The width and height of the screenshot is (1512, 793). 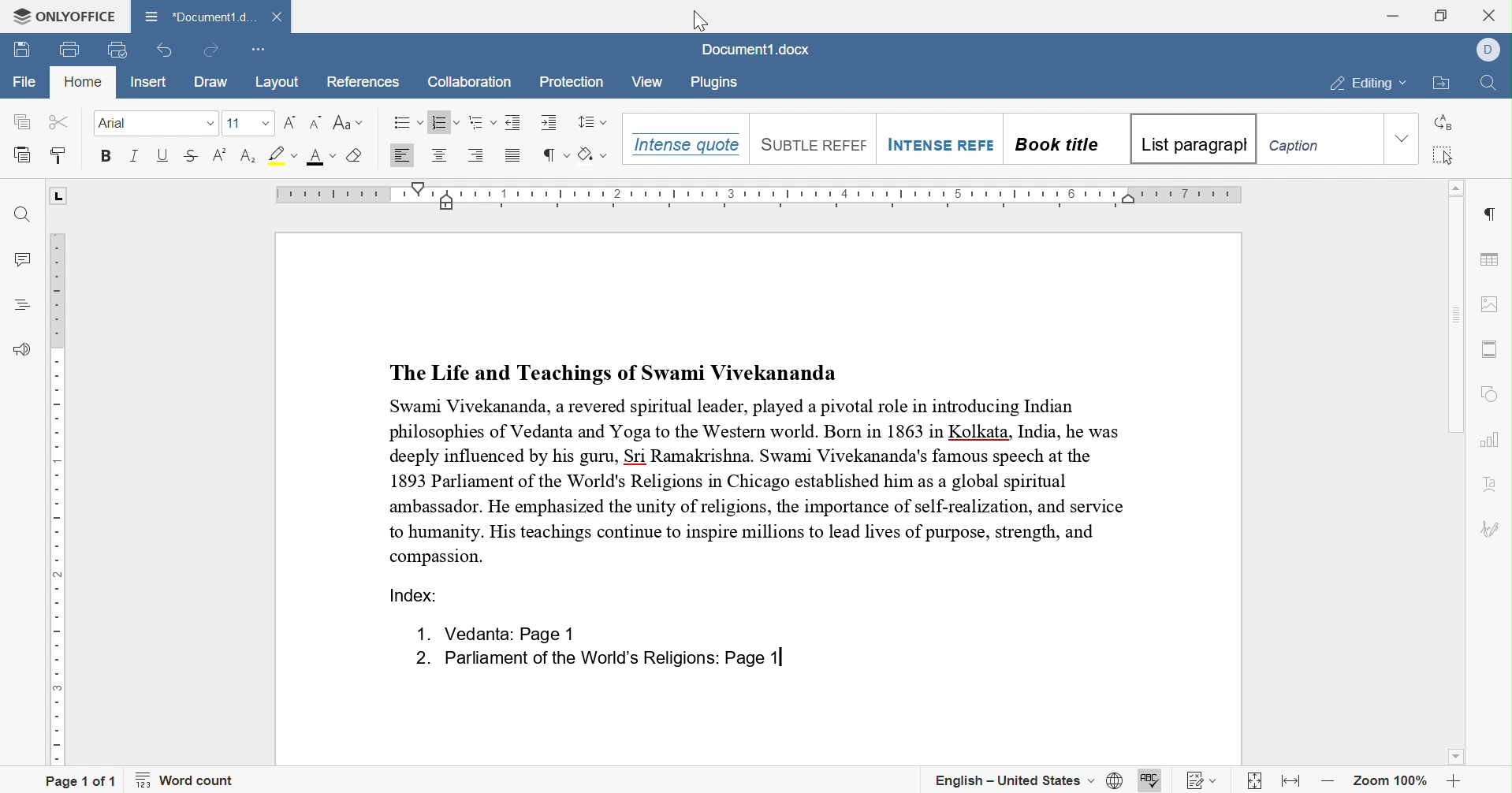 I want to click on save, so click(x=22, y=51).